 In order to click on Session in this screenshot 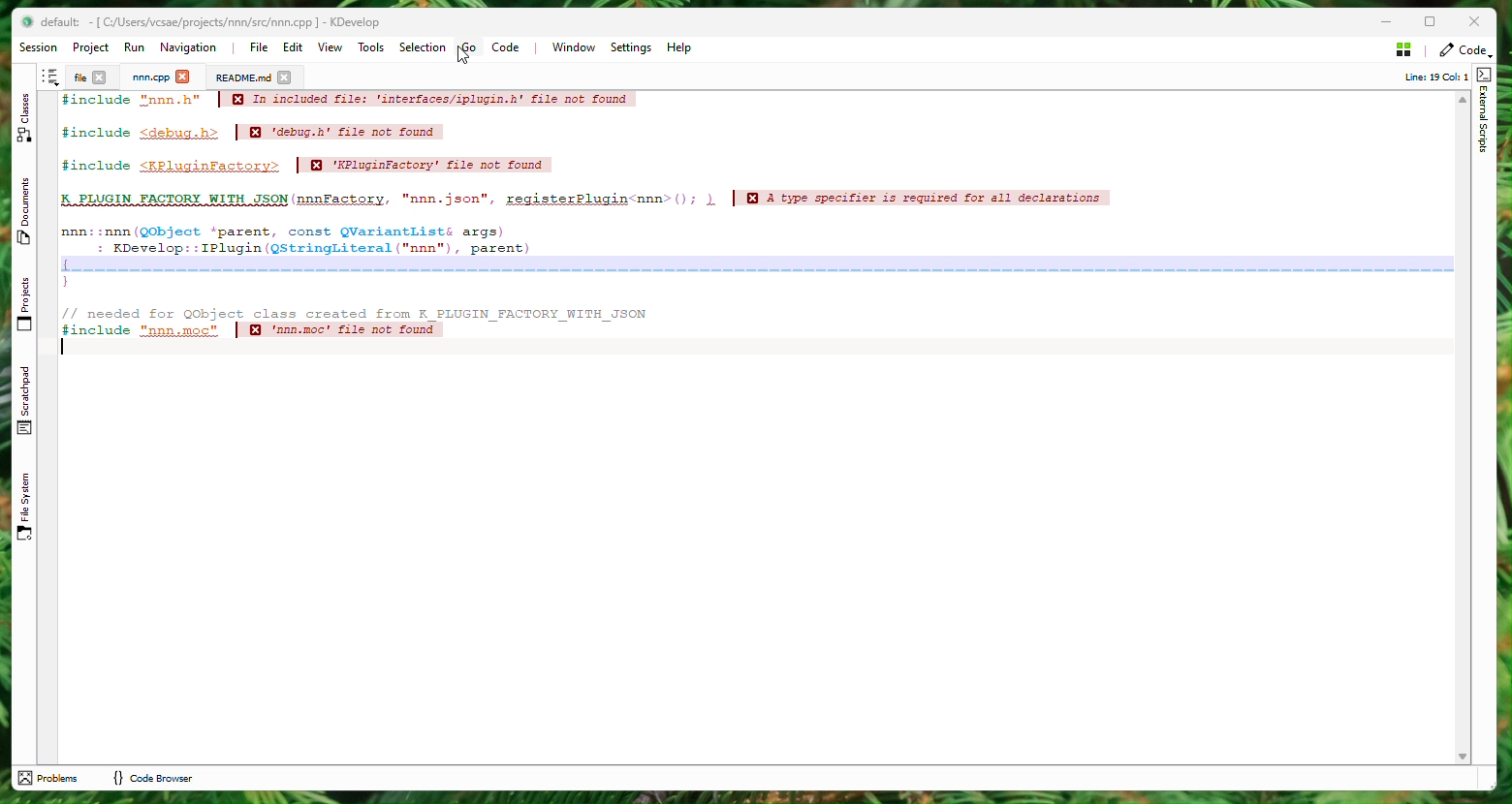, I will do `click(42, 48)`.